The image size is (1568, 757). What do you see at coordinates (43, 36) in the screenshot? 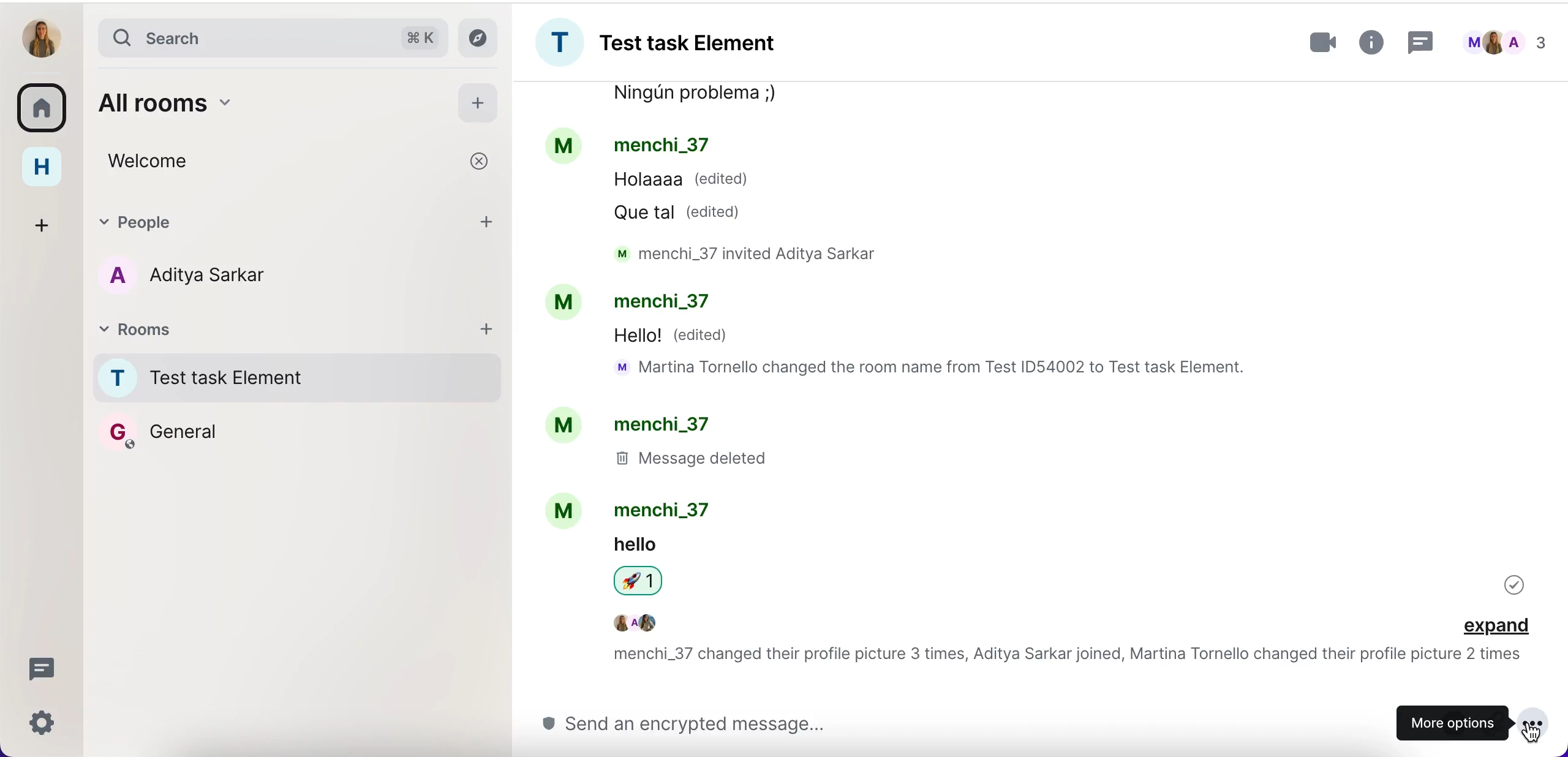
I see `user` at bounding box center [43, 36].